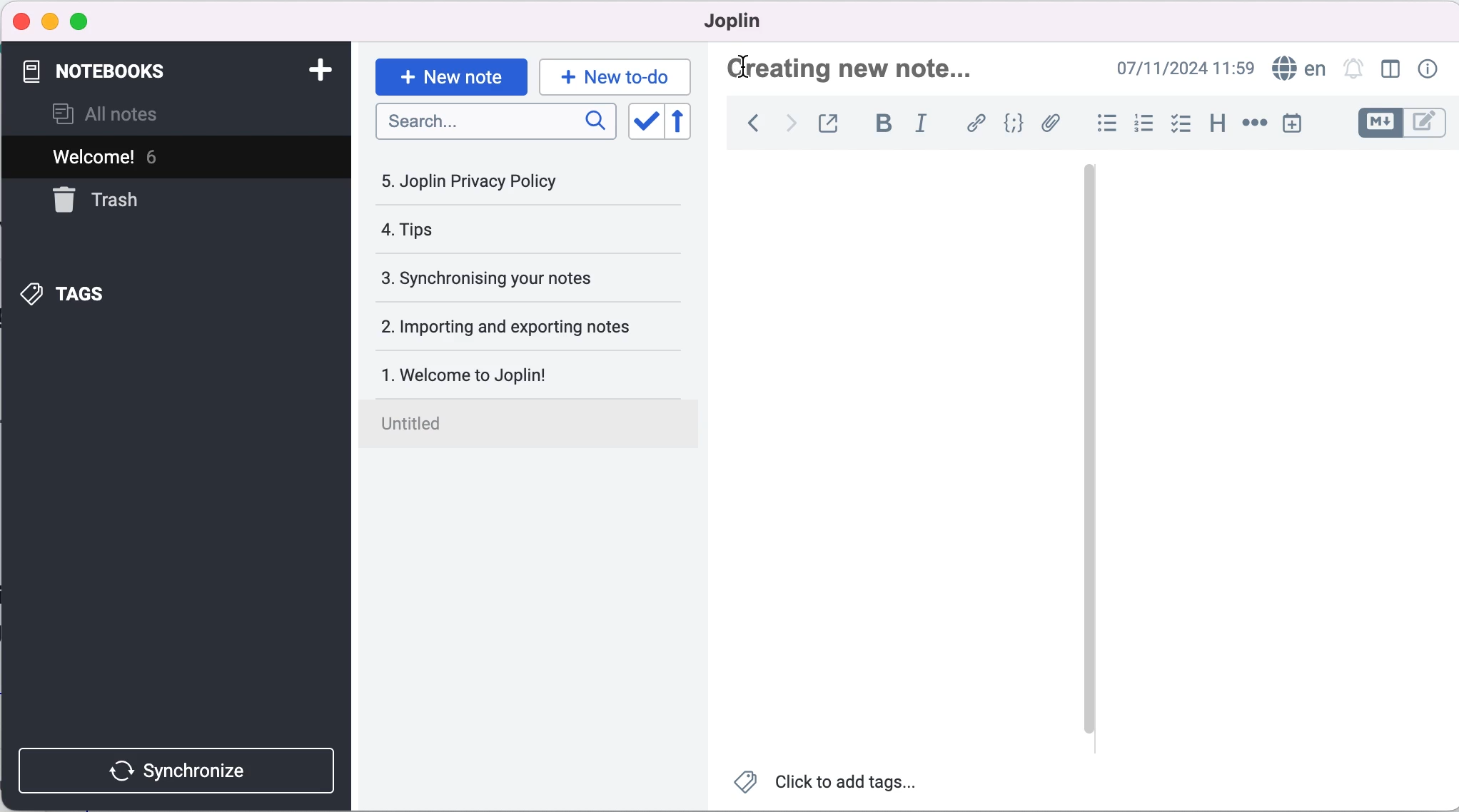 The image size is (1459, 812). Describe the element at coordinates (1390, 70) in the screenshot. I see `toggle editor layout` at that location.